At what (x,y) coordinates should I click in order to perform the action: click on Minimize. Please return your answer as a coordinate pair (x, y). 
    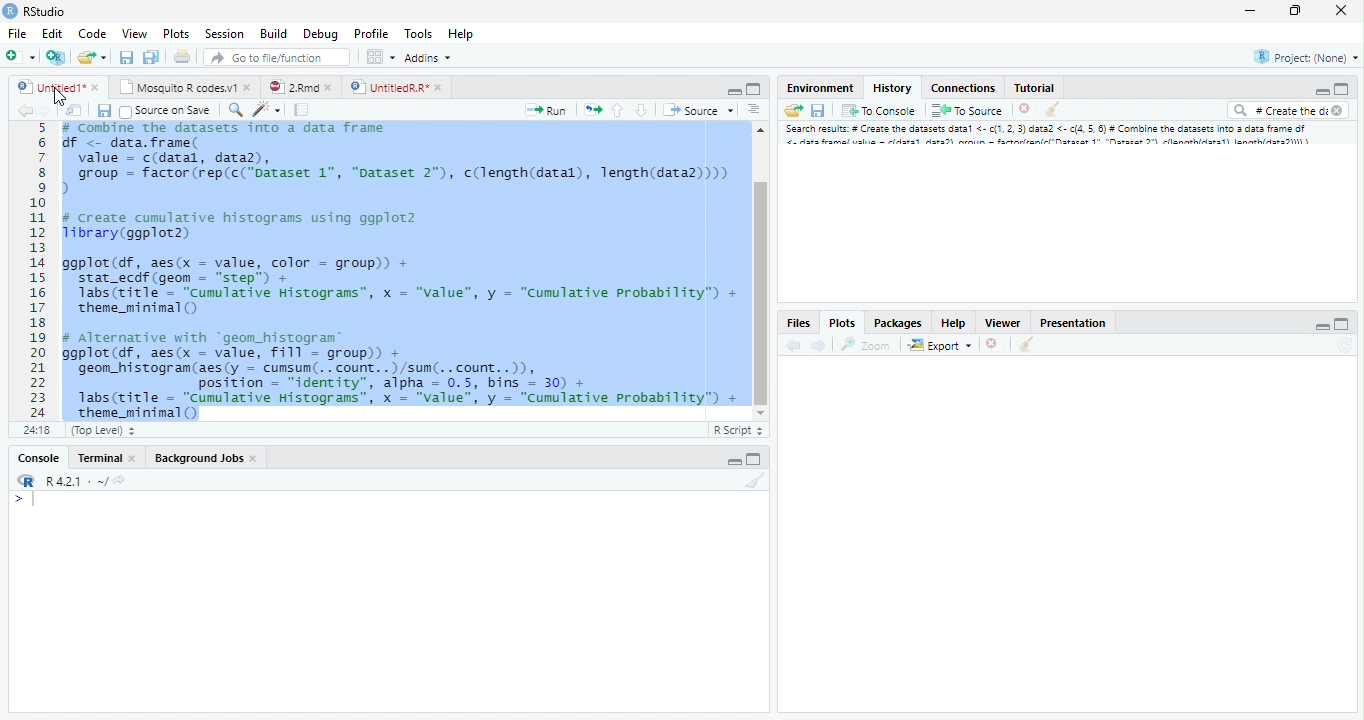
    Looking at the image, I should click on (1253, 11).